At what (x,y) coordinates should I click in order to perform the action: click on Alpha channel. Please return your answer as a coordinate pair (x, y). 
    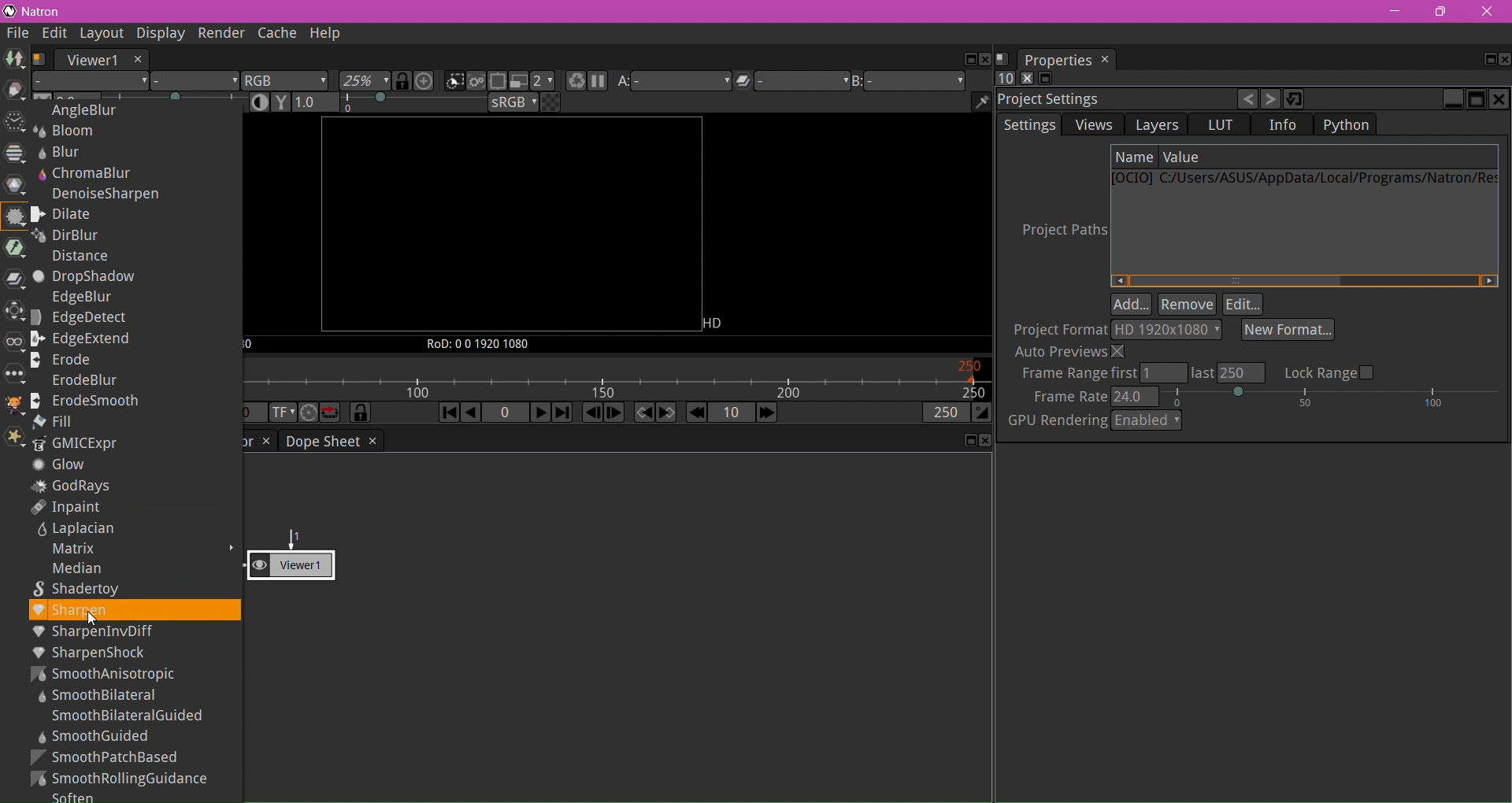
    Looking at the image, I should click on (195, 83).